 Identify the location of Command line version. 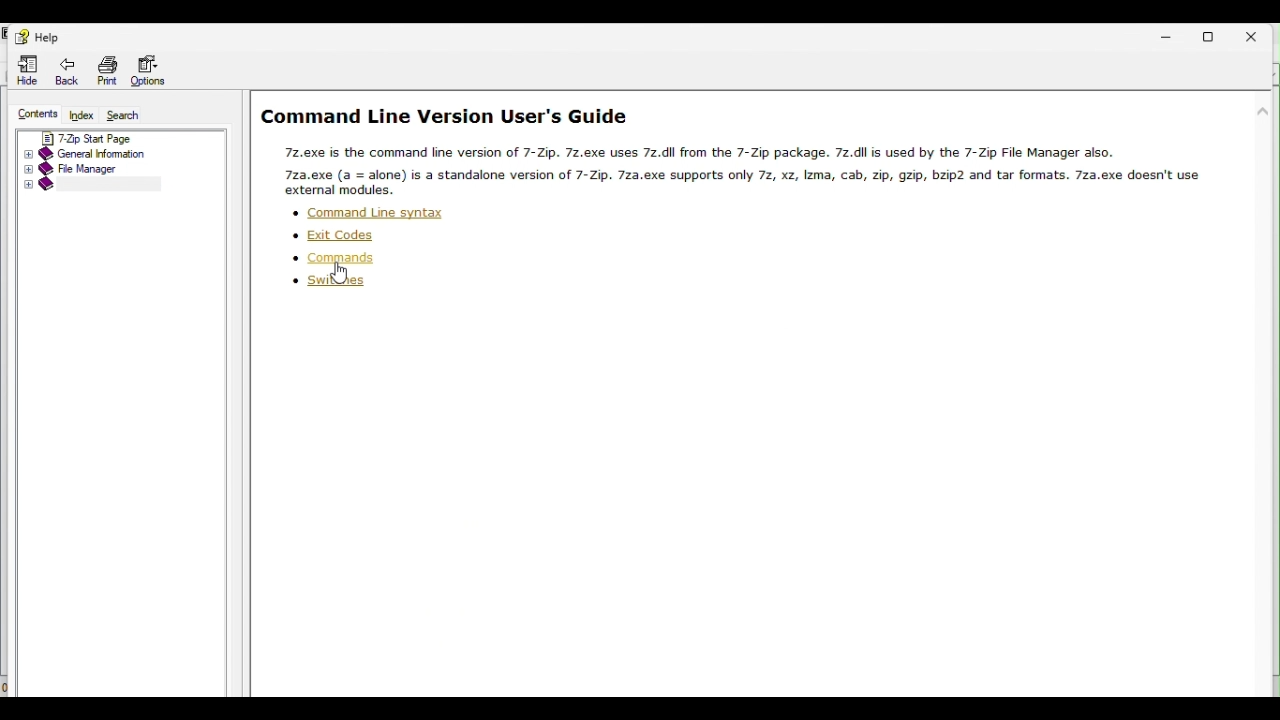
(92, 185).